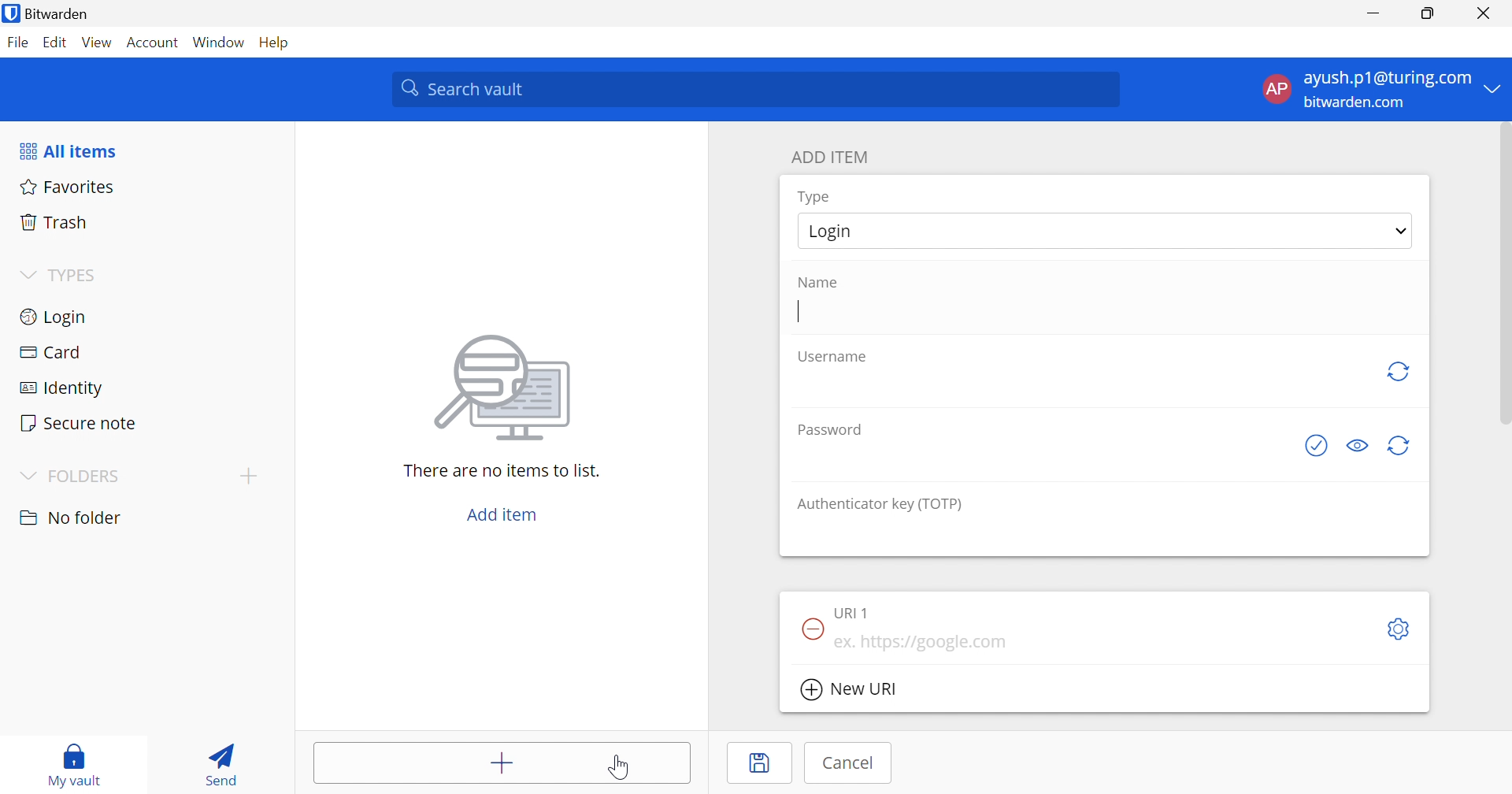 This screenshot has width=1512, height=794. What do you see at coordinates (816, 198) in the screenshot?
I see `Type` at bounding box center [816, 198].